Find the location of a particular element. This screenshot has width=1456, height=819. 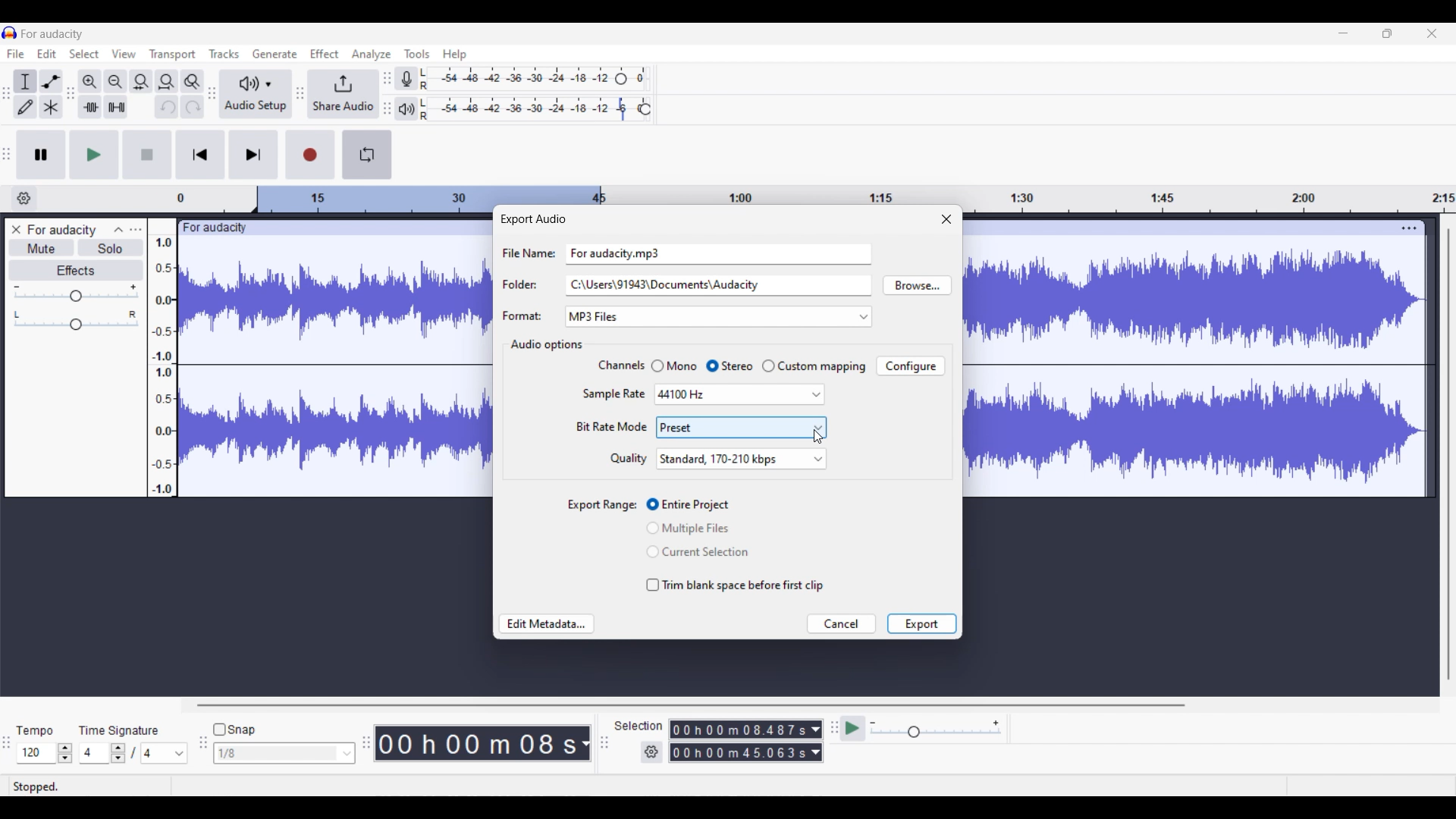

Browse folders is located at coordinates (917, 285).